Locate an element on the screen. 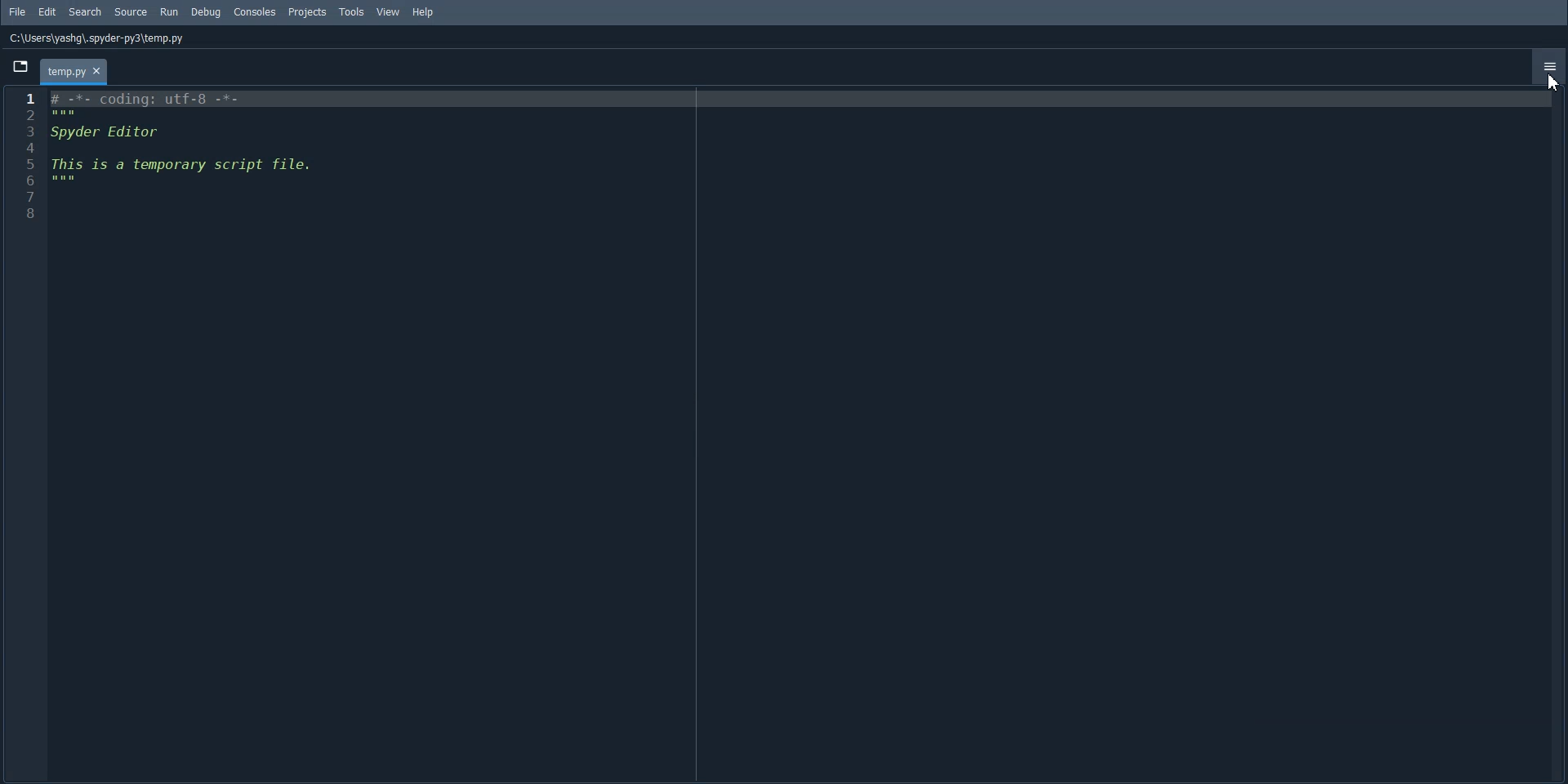  Debug is located at coordinates (206, 12).